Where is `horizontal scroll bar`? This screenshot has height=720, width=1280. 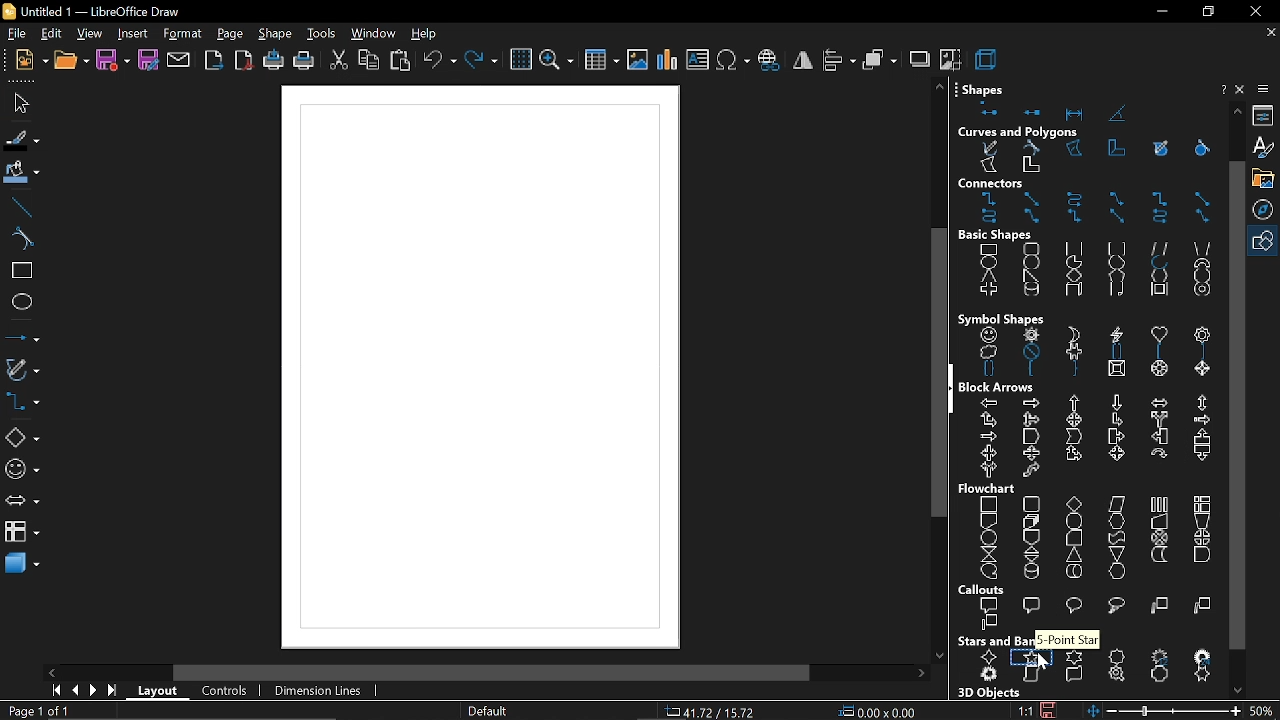 horizontal scroll bar is located at coordinates (487, 671).